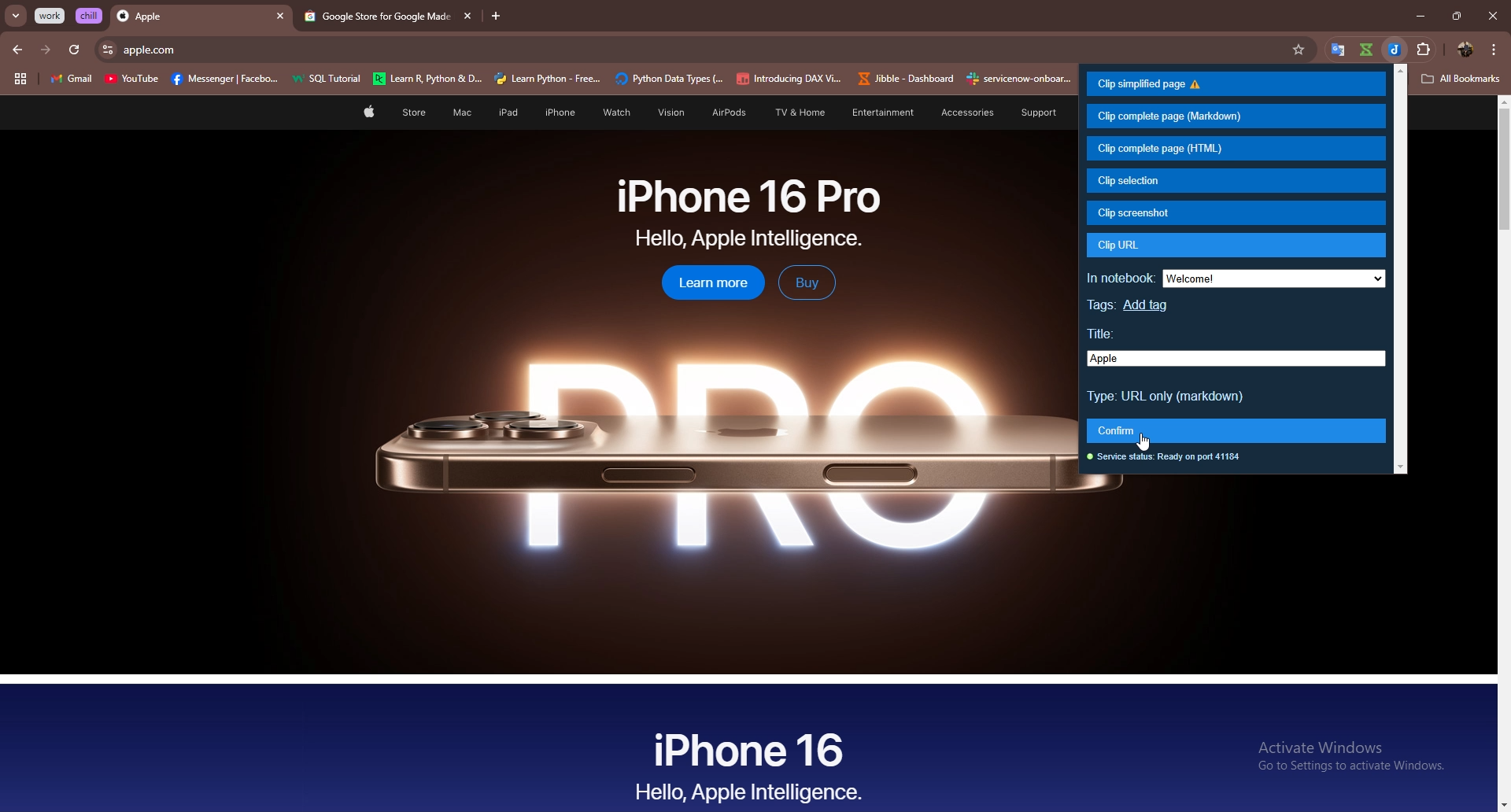  I want to click on Introducing DAX Vi.., so click(789, 79).